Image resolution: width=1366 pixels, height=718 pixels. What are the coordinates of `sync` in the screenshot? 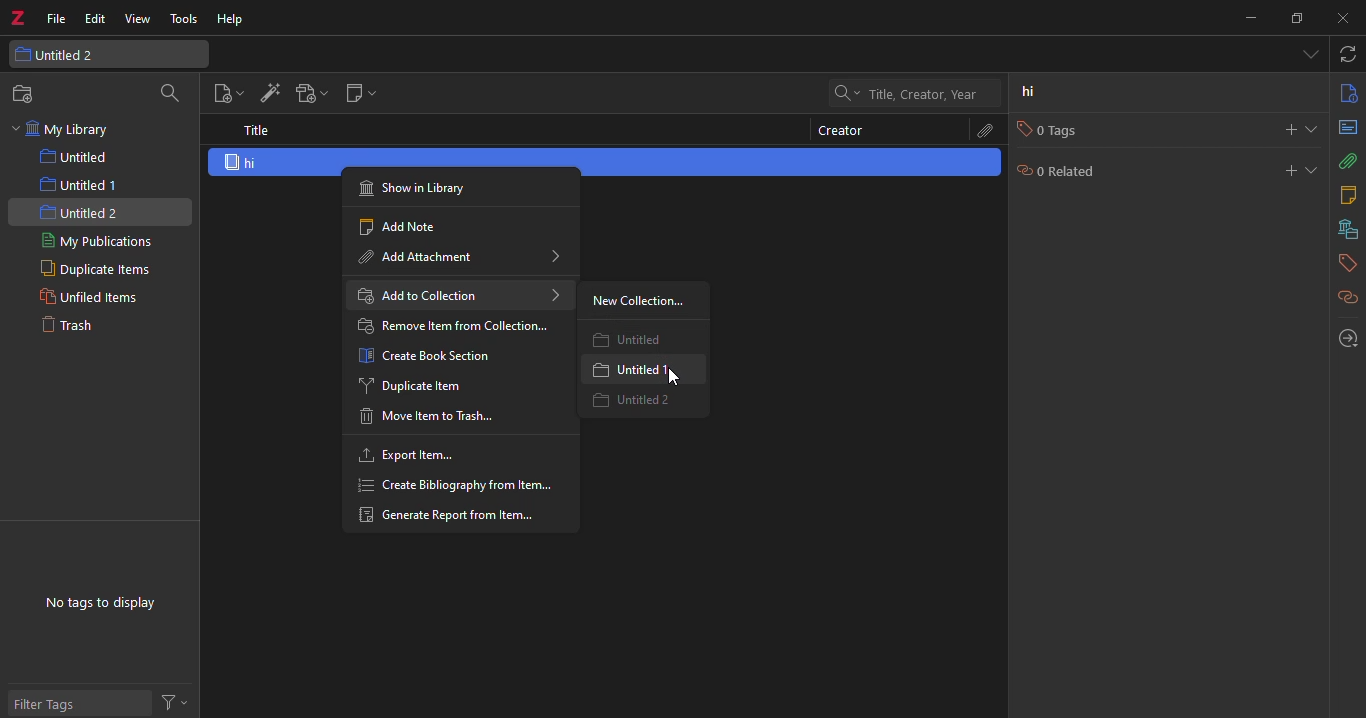 It's located at (1350, 53).